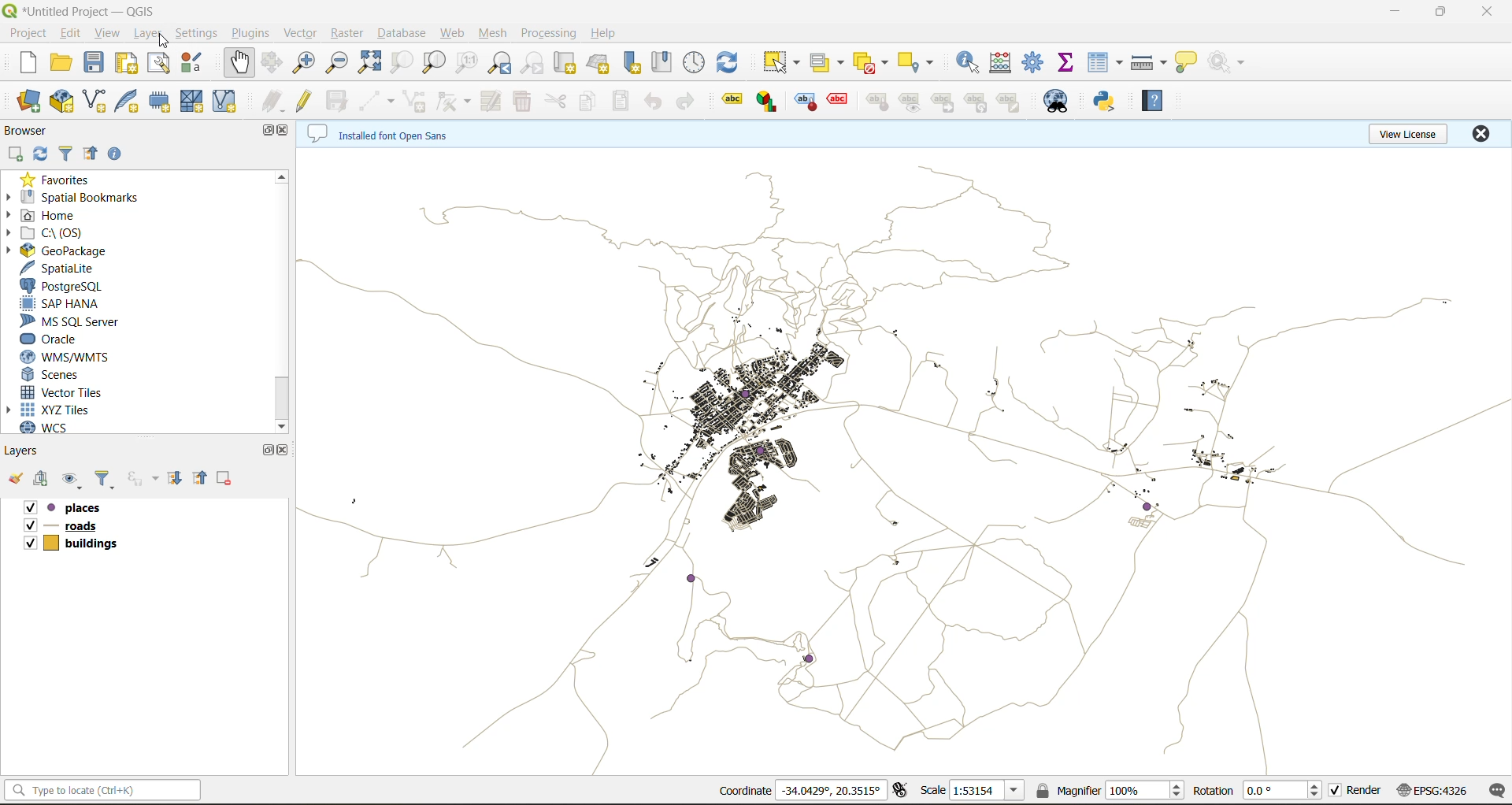 Image resolution: width=1512 pixels, height=805 pixels. Describe the element at coordinates (435, 63) in the screenshot. I see `zoom layer` at that location.